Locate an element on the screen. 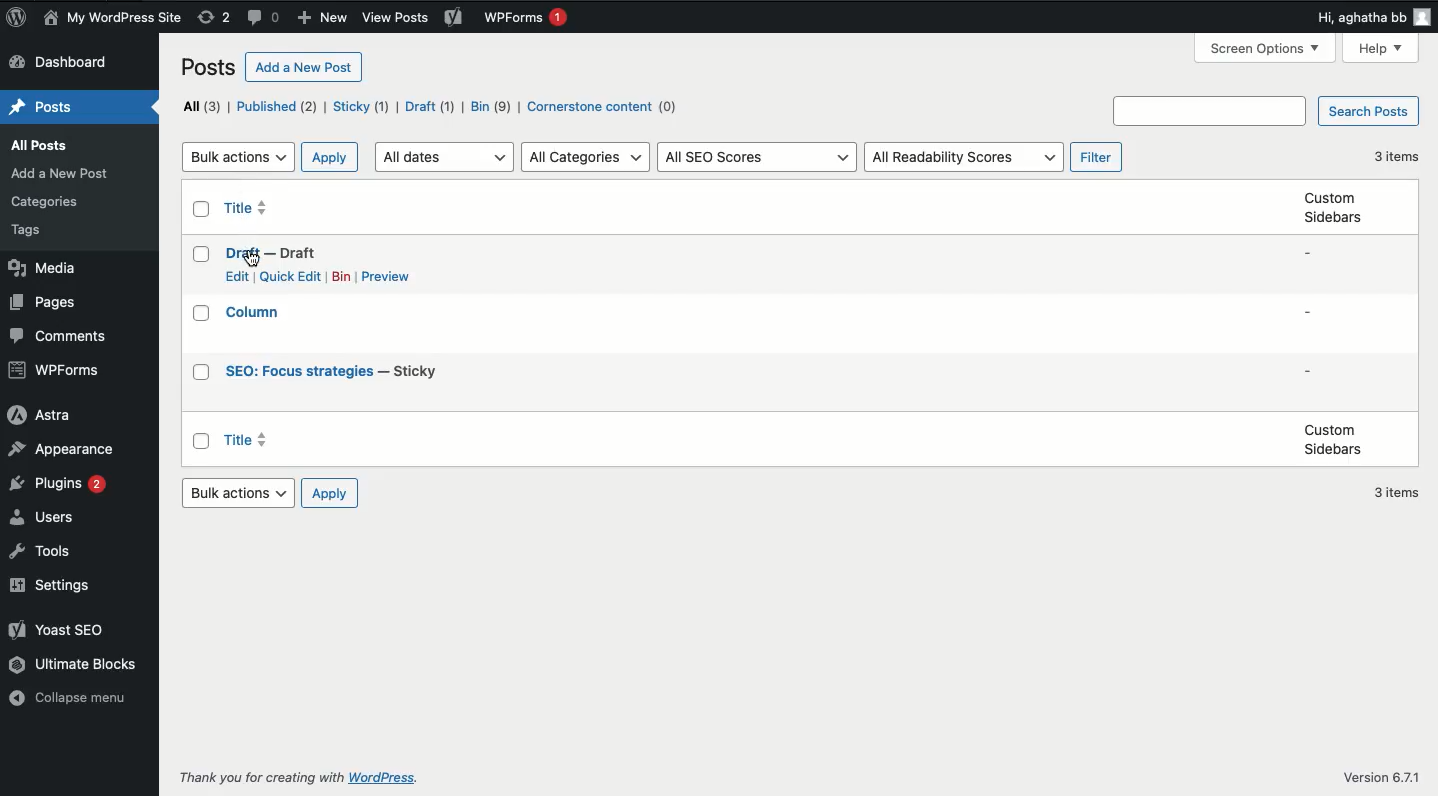  Yoast SEO is located at coordinates (61, 630).